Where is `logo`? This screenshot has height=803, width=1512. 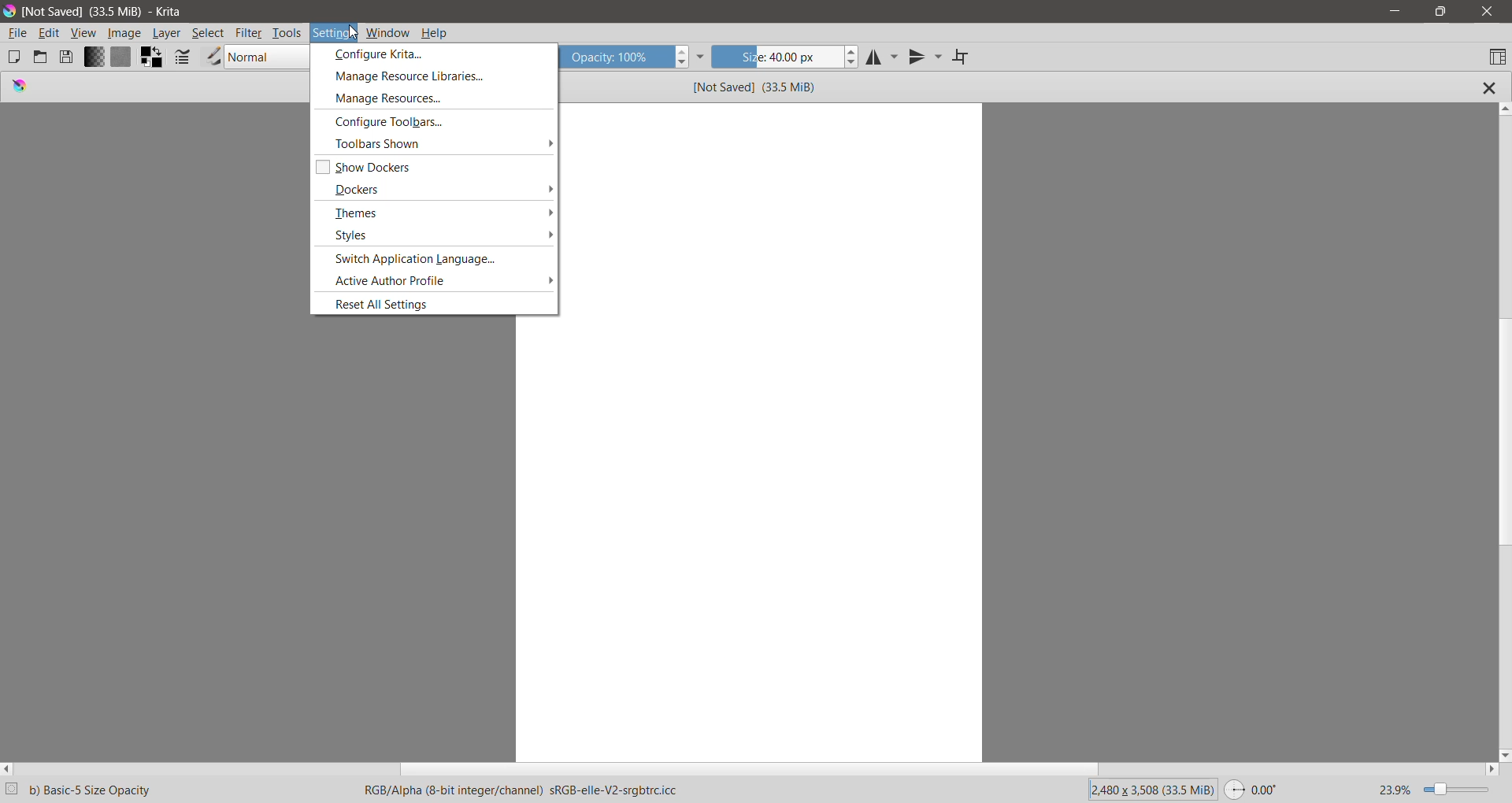 logo is located at coordinates (20, 86).